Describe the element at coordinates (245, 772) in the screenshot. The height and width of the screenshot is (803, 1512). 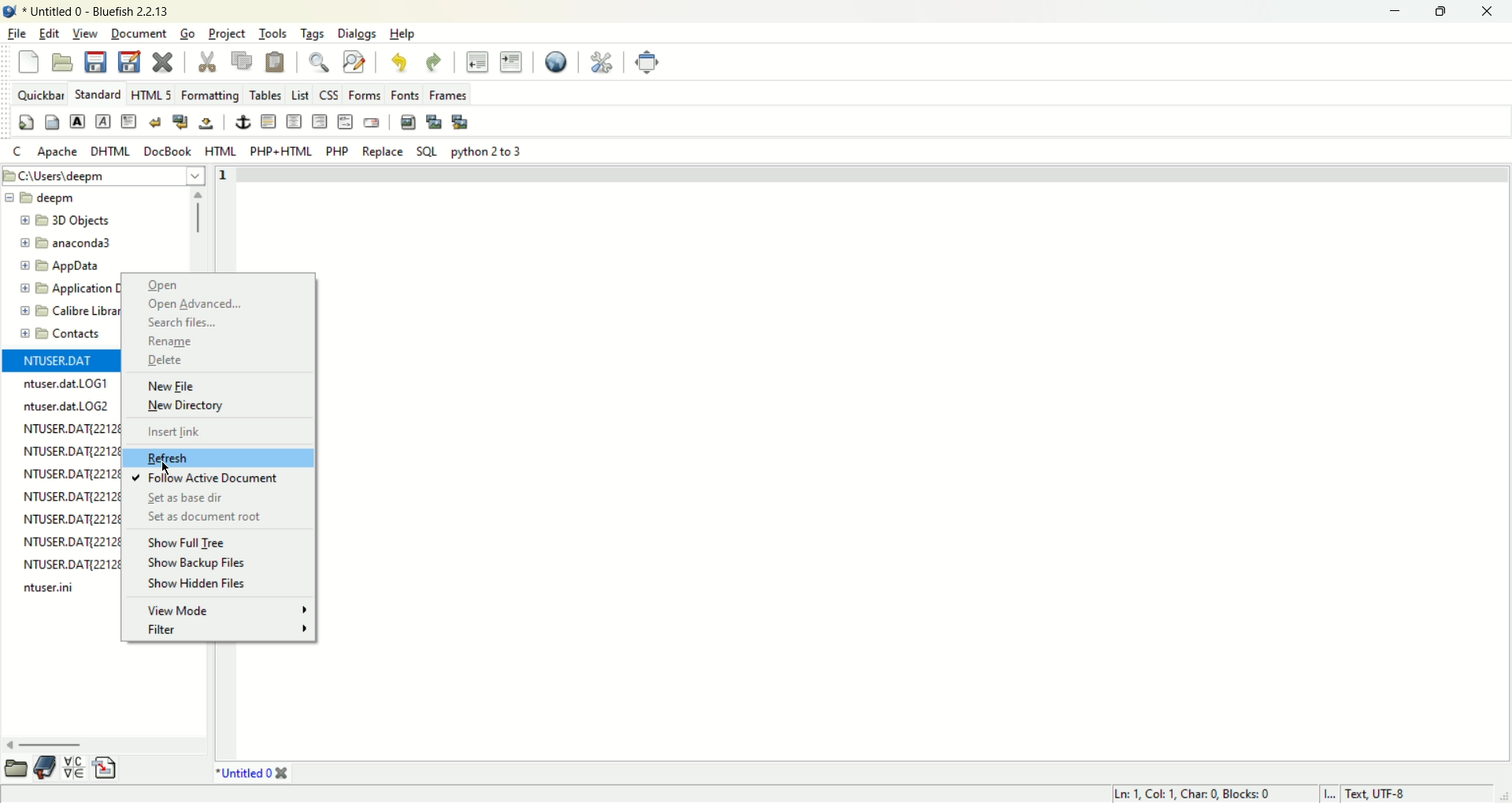
I see `document name` at that location.